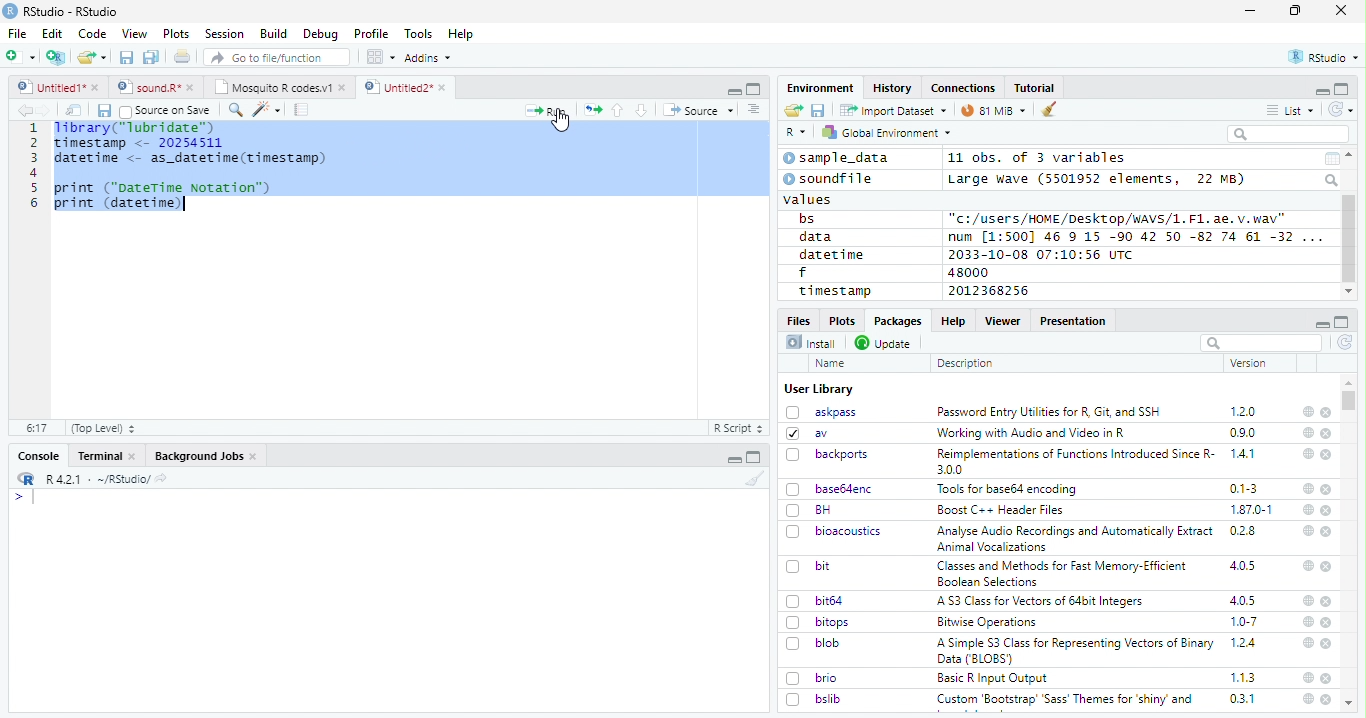  I want to click on Source, so click(698, 112).